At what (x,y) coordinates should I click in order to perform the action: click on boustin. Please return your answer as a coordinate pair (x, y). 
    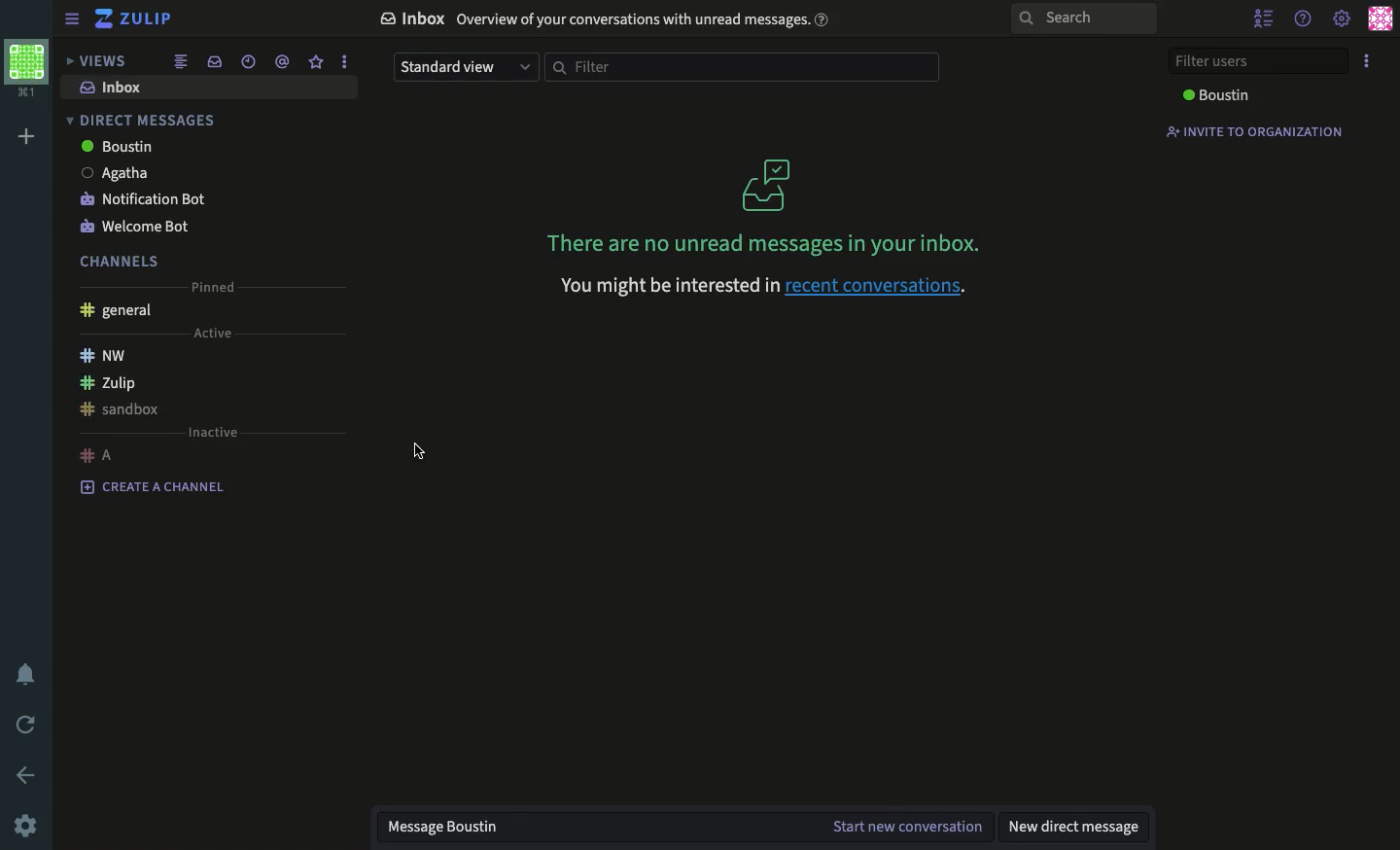
    Looking at the image, I should click on (120, 147).